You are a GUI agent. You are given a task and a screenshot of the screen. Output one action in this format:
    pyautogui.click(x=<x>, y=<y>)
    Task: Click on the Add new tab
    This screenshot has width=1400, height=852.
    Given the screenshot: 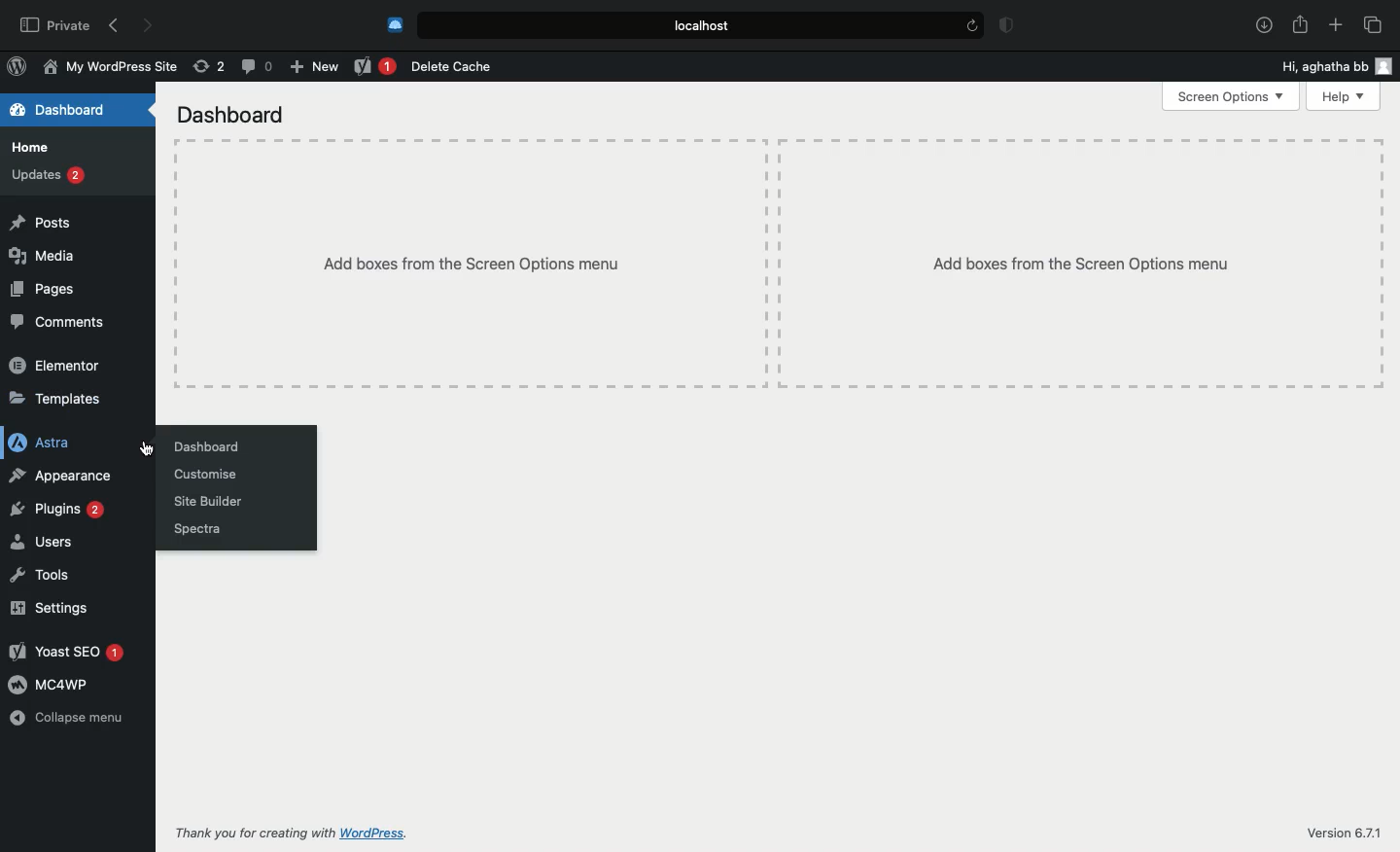 What is the action you would take?
    pyautogui.click(x=1336, y=28)
    